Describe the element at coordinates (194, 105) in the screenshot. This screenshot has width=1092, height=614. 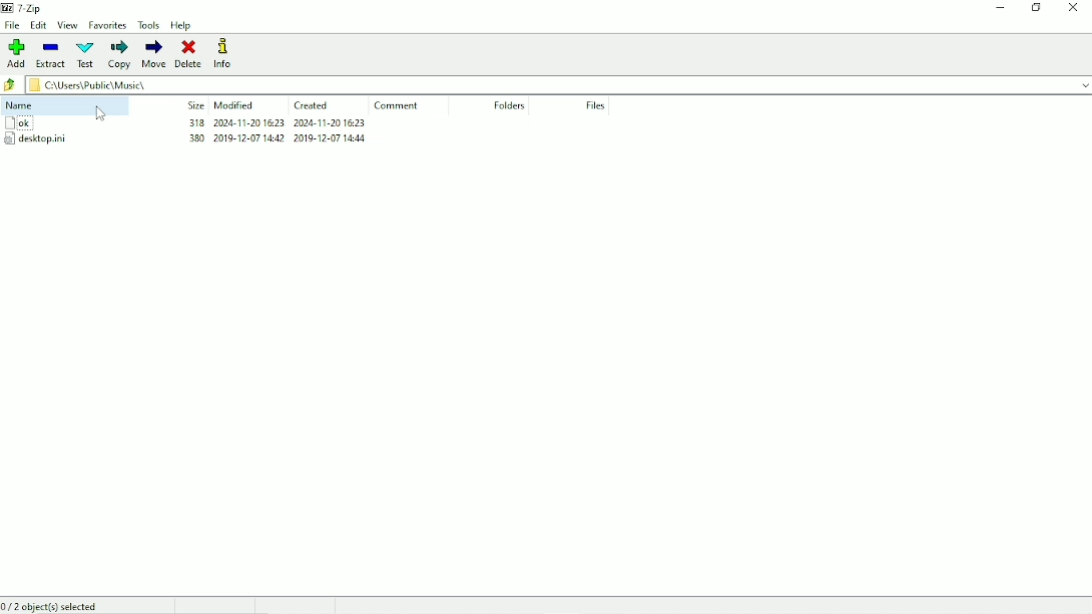
I see `Size` at that location.